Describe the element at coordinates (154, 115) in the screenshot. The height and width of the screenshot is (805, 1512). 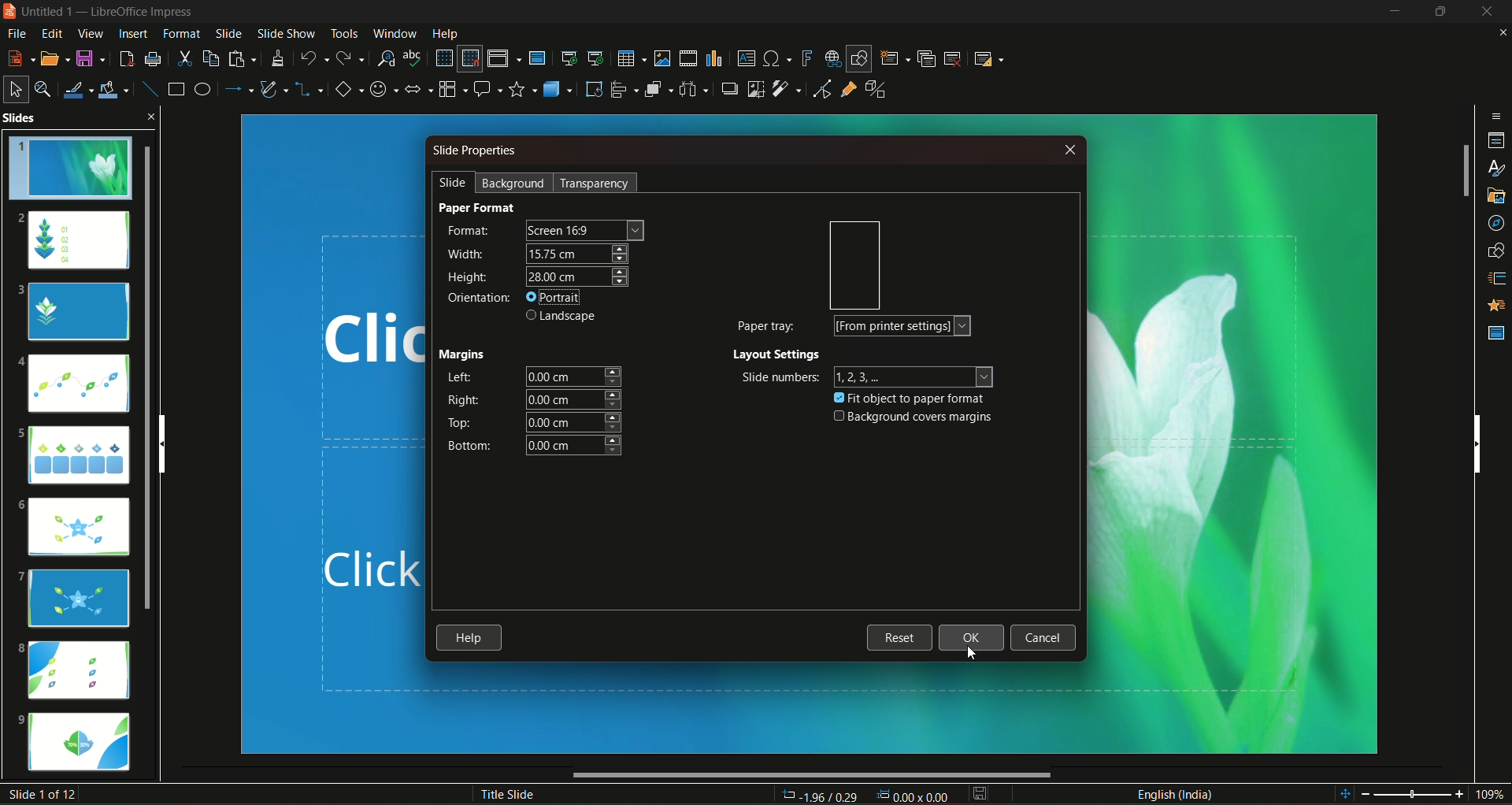
I see `close` at that location.